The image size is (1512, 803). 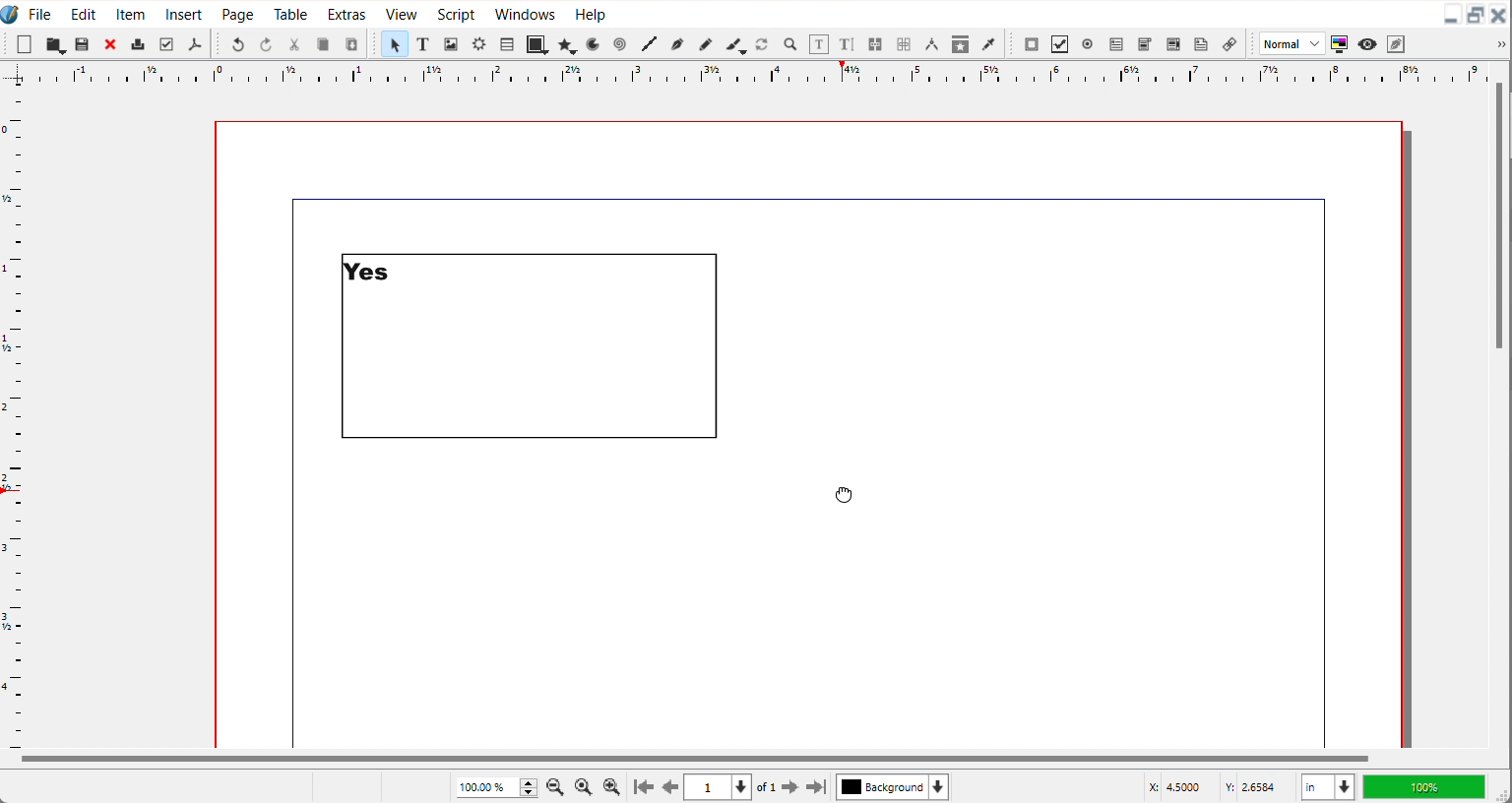 I want to click on Edit, so click(x=81, y=13).